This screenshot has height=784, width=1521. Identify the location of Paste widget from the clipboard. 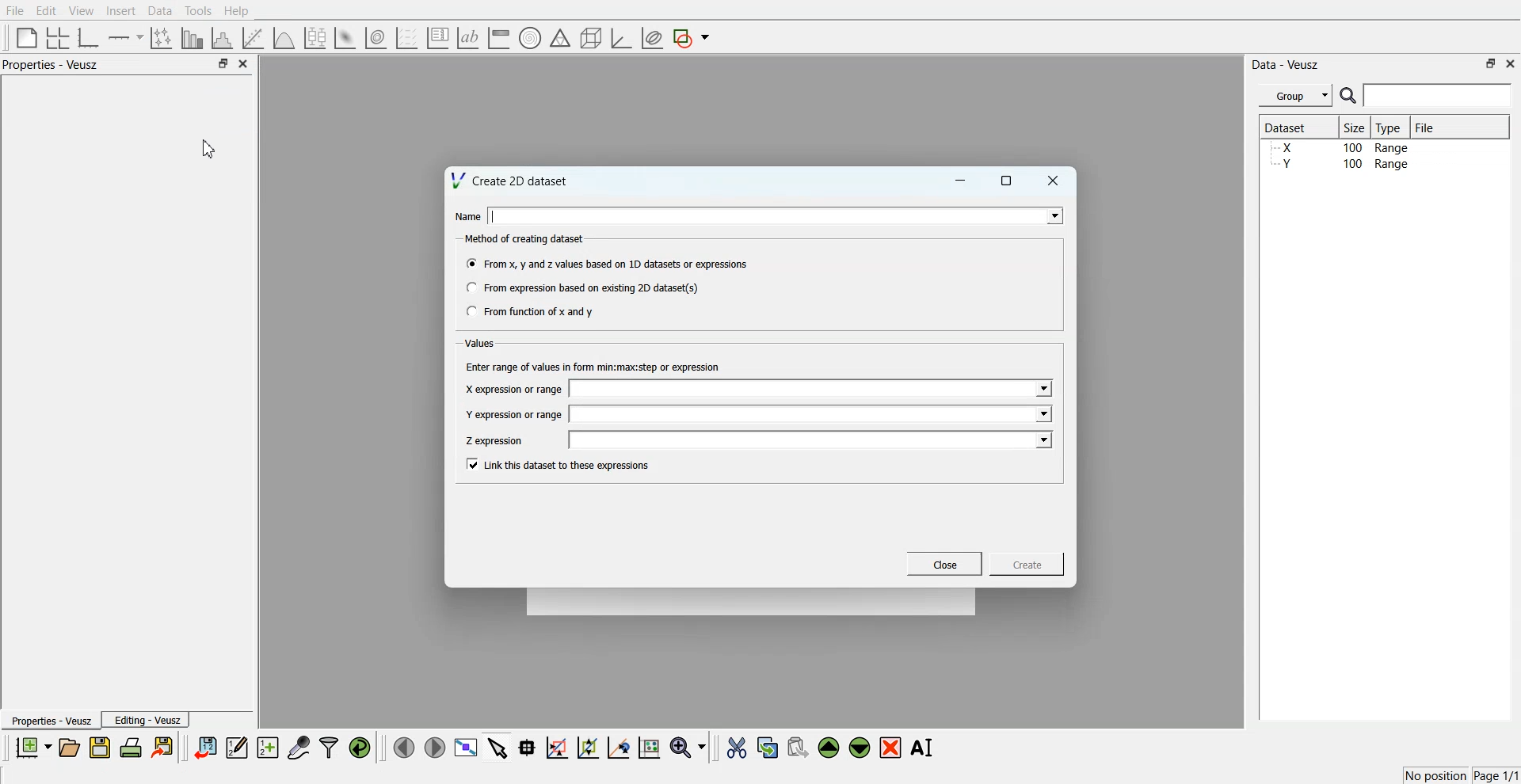
(798, 746).